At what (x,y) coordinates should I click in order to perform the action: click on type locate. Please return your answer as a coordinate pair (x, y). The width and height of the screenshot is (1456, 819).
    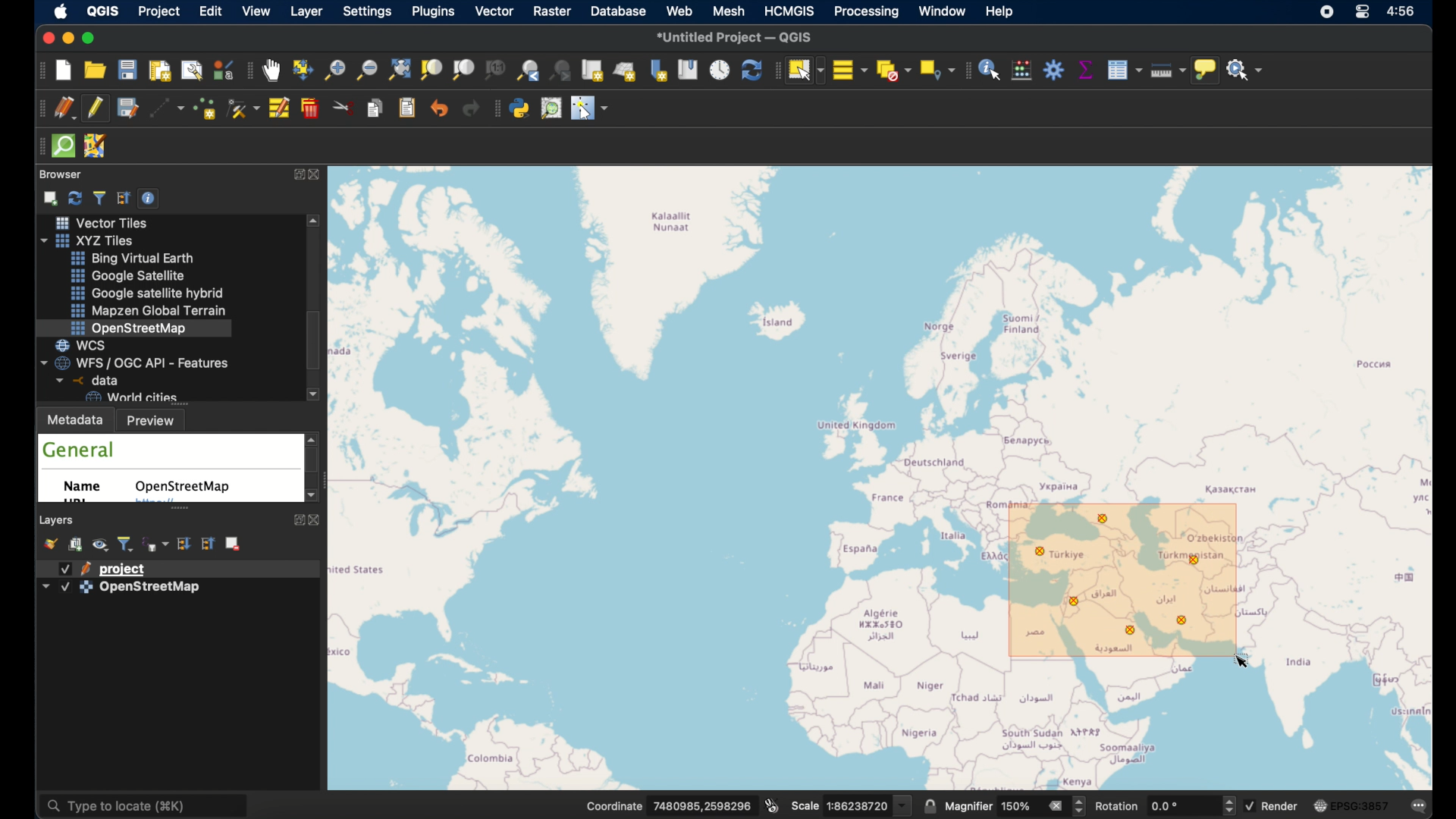
    Looking at the image, I should click on (149, 806).